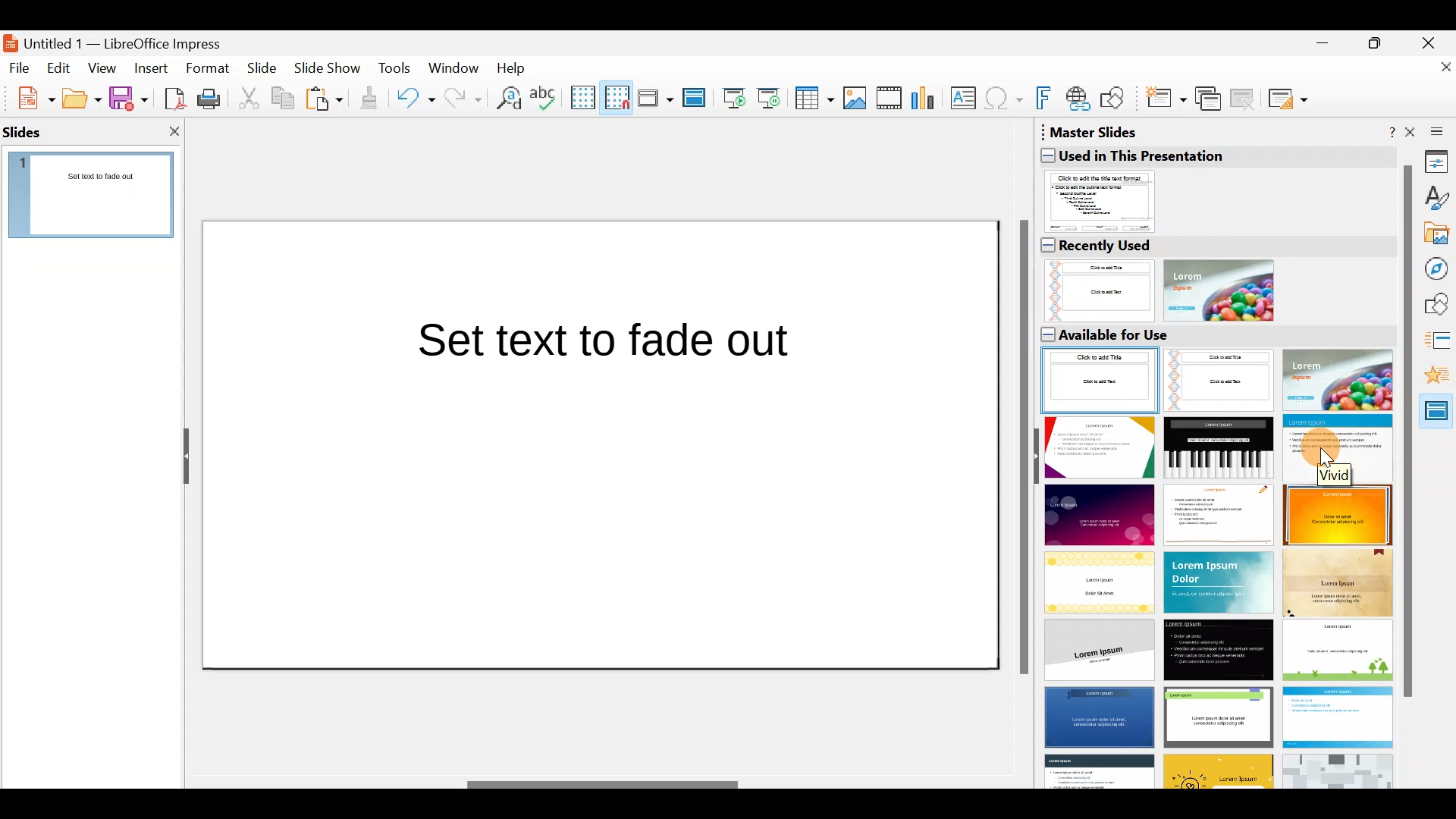 Image resolution: width=1456 pixels, height=819 pixels. Describe the element at coordinates (1214, 556) in the screenshot. I see `Slides available for use` at that location.